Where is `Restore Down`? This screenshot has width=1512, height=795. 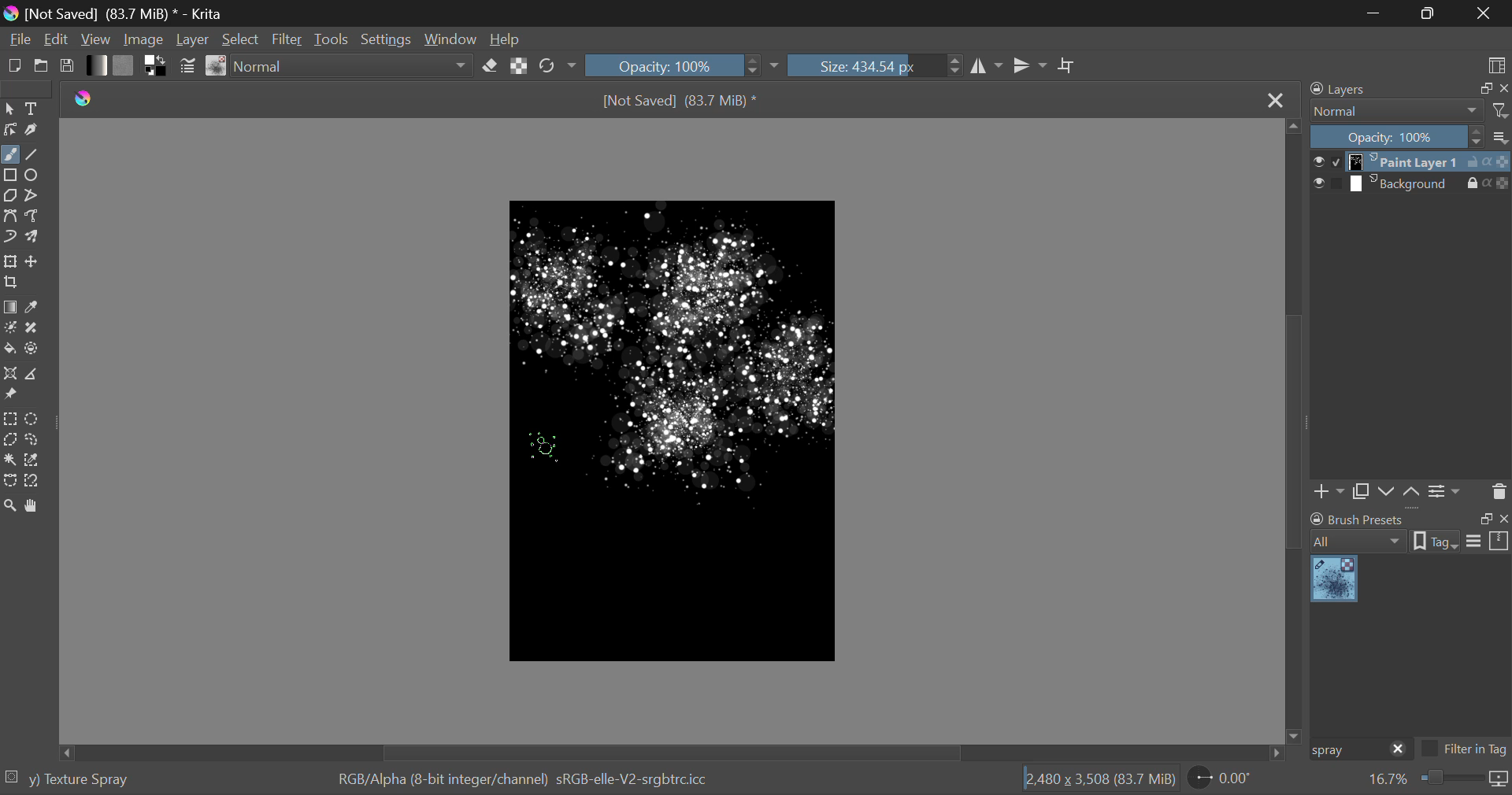 Restore Down is located at coordinates (1378, 13).